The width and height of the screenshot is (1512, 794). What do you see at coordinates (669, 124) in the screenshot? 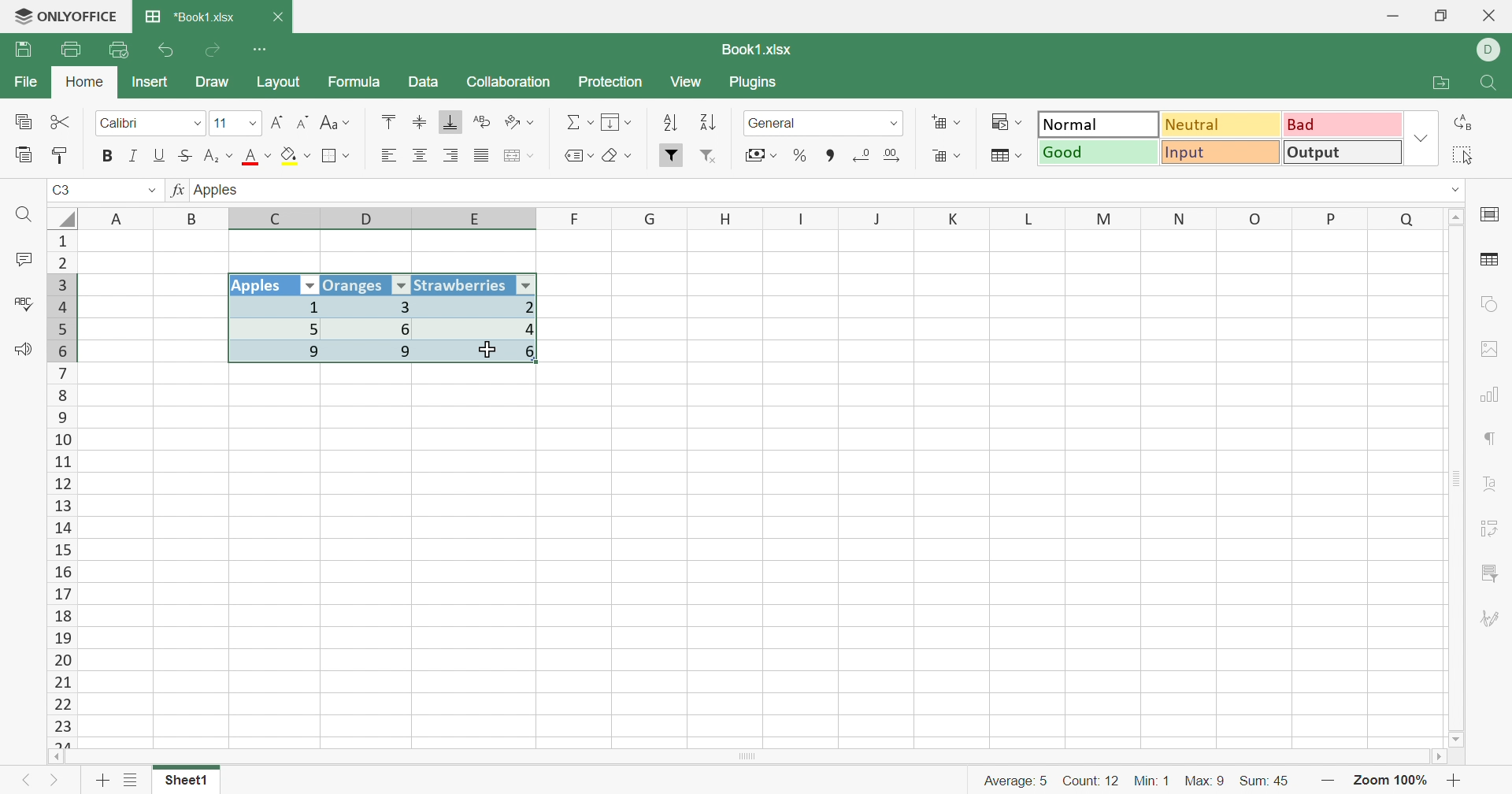
I see `Ascending order` at bounding box center [669, 124].